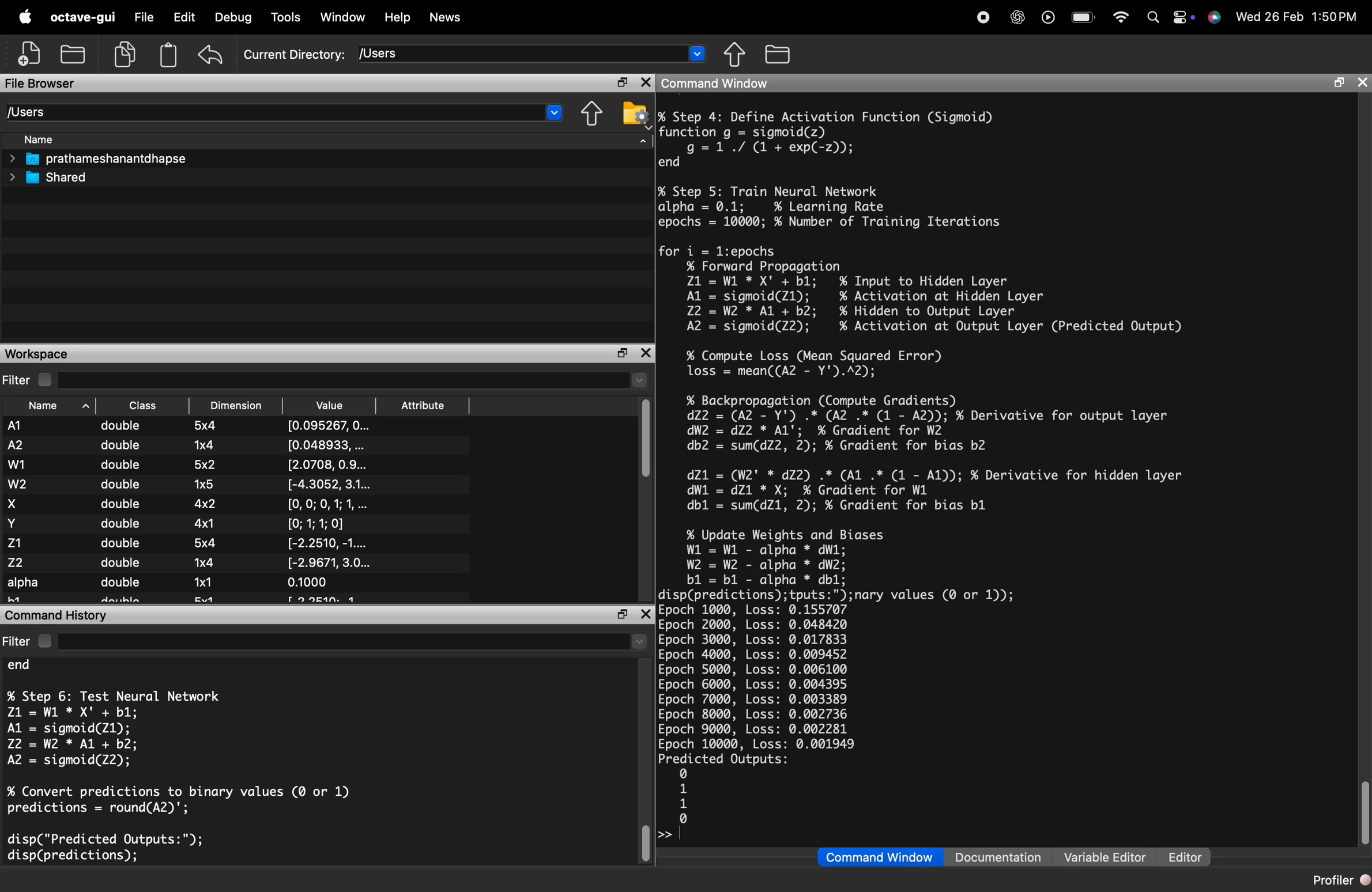 Image resolution: width=1372 pixels, height=892 pixels. Describe the element at coordinates (15, 523) in the screenshot. I see `Y` at that location.